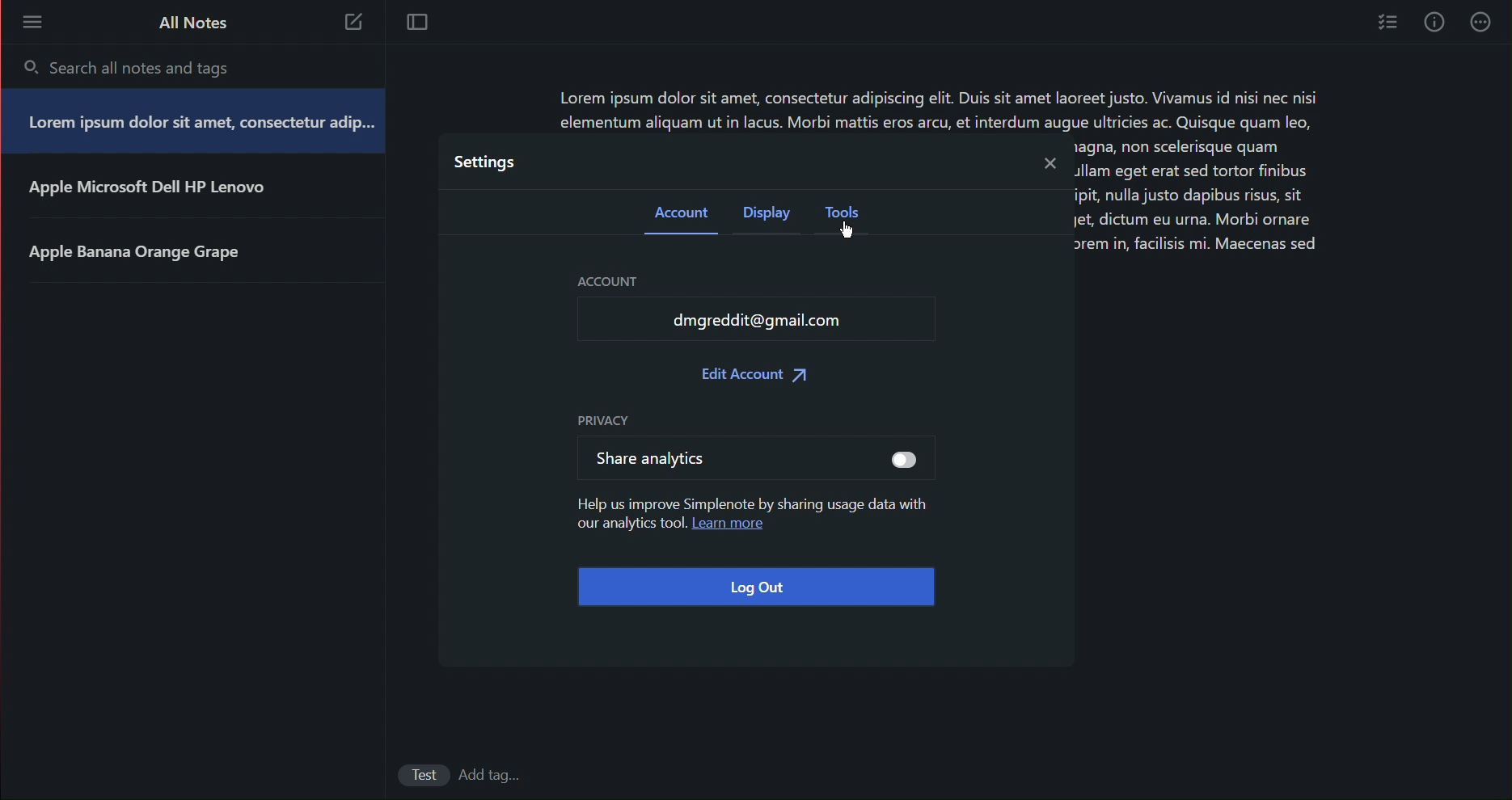 The width and height of the screenshot is (1512, 800). I want to click on Checklist, so click(1386, 23).